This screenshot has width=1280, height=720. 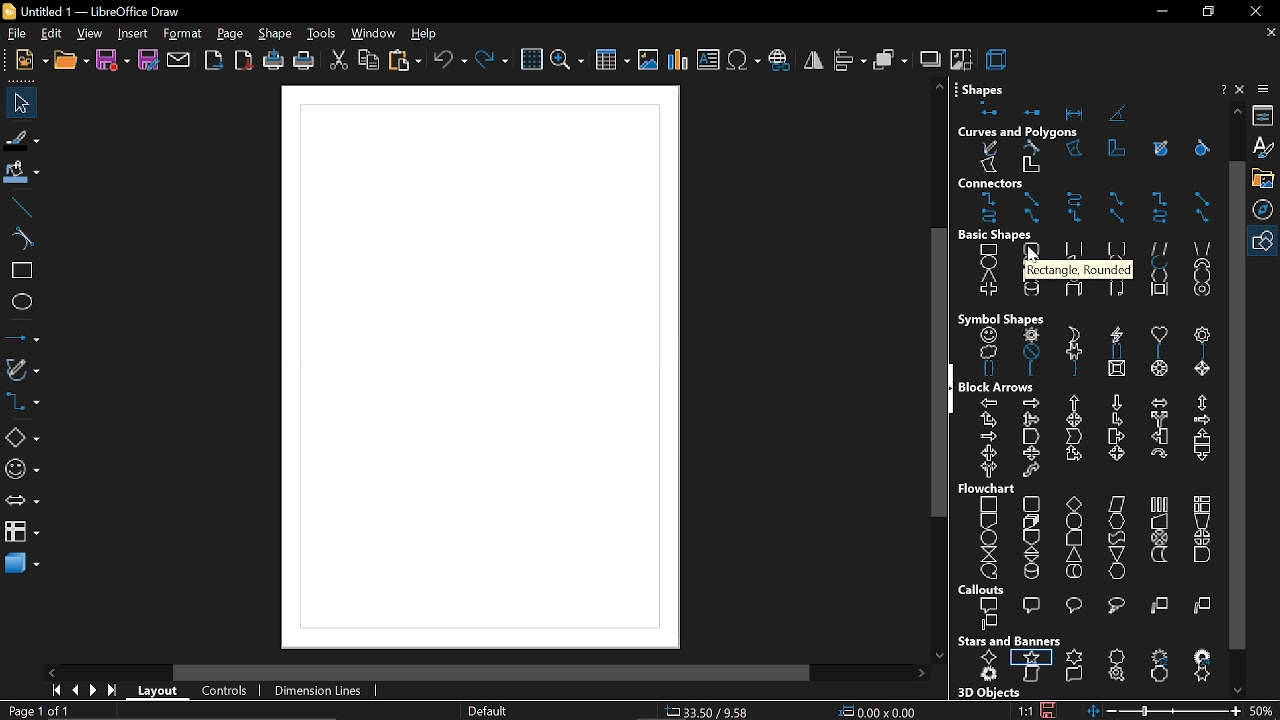 What do you see at coordinates (22, 403) in the screenshot?
I see `connectors` at bounding box center [22, 403].